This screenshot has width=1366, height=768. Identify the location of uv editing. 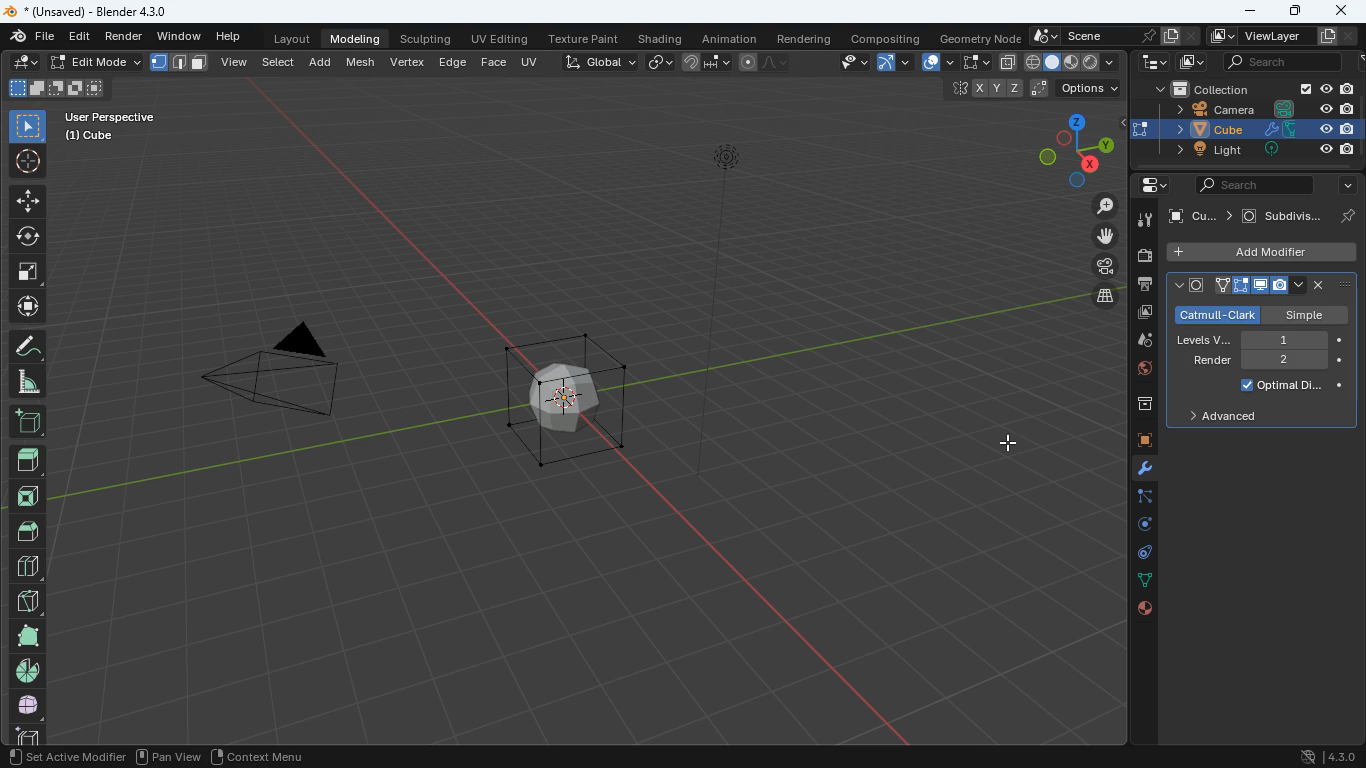
(500, 38).